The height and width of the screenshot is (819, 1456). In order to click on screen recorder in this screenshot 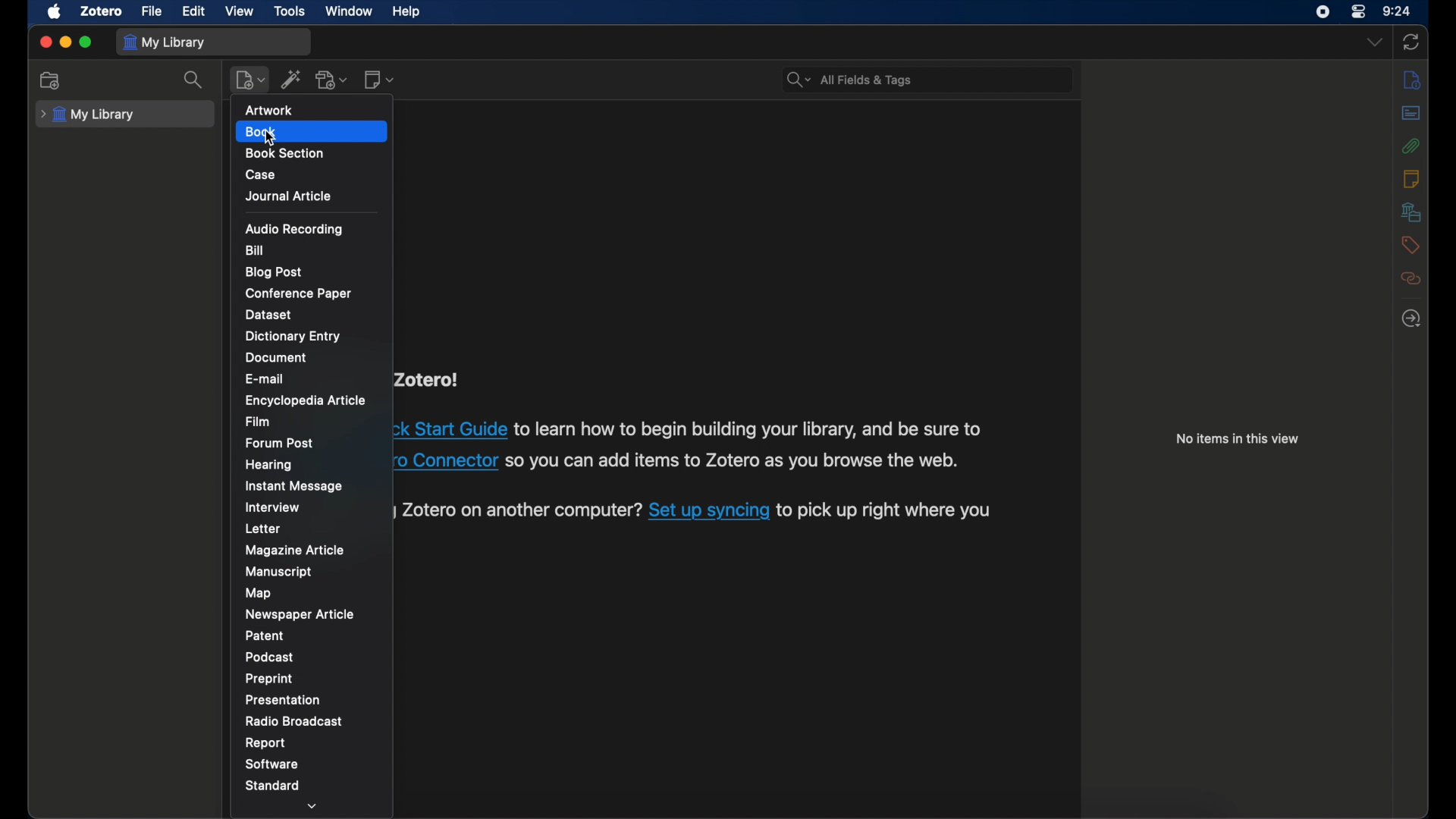, I will do `click(1323, 12)`.